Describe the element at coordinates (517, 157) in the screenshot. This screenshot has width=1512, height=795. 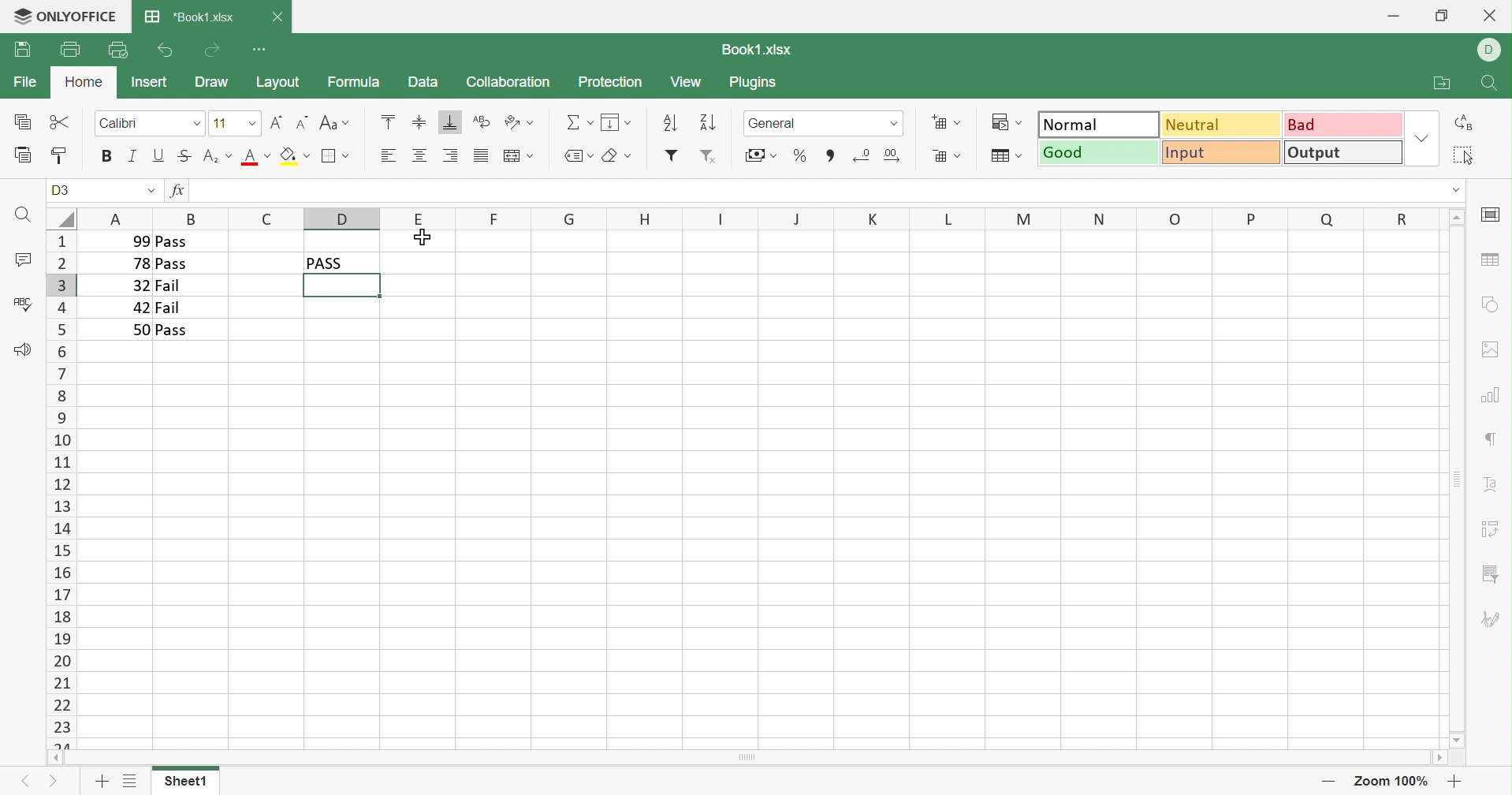
I see `Merge center` at that location.